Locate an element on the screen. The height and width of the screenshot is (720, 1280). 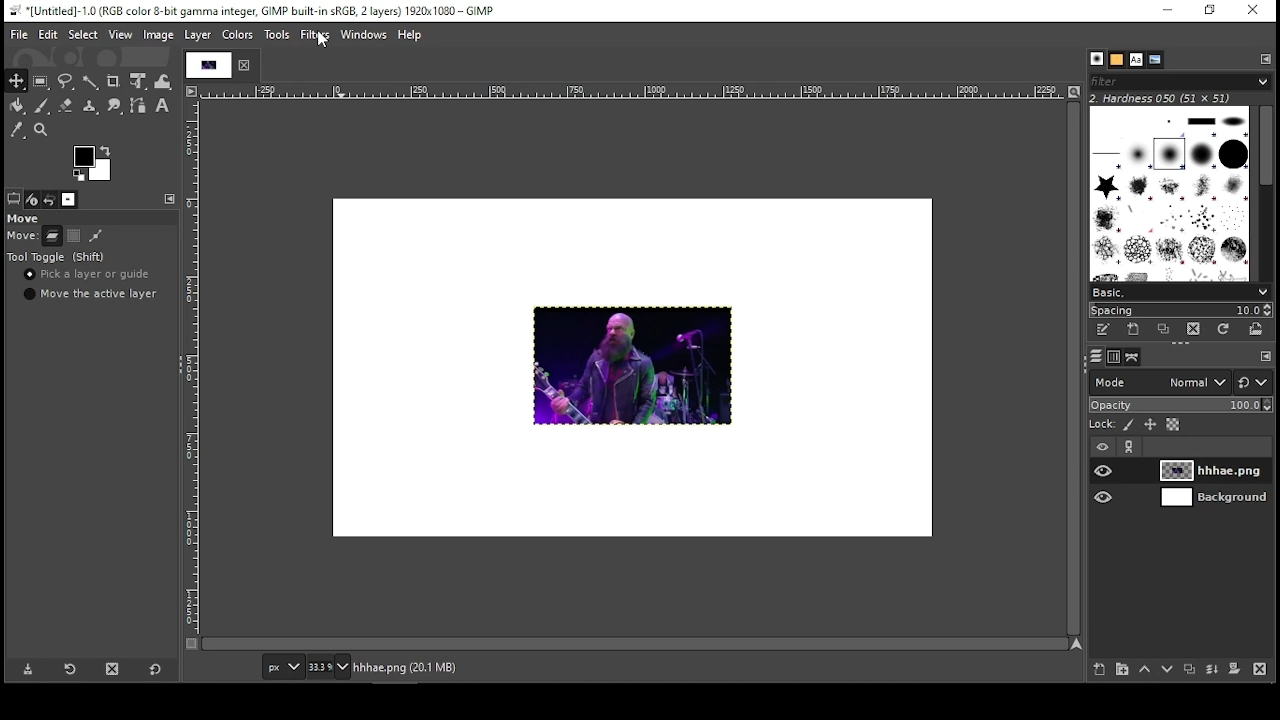
save tool preset is located at coordinates (28, 669).